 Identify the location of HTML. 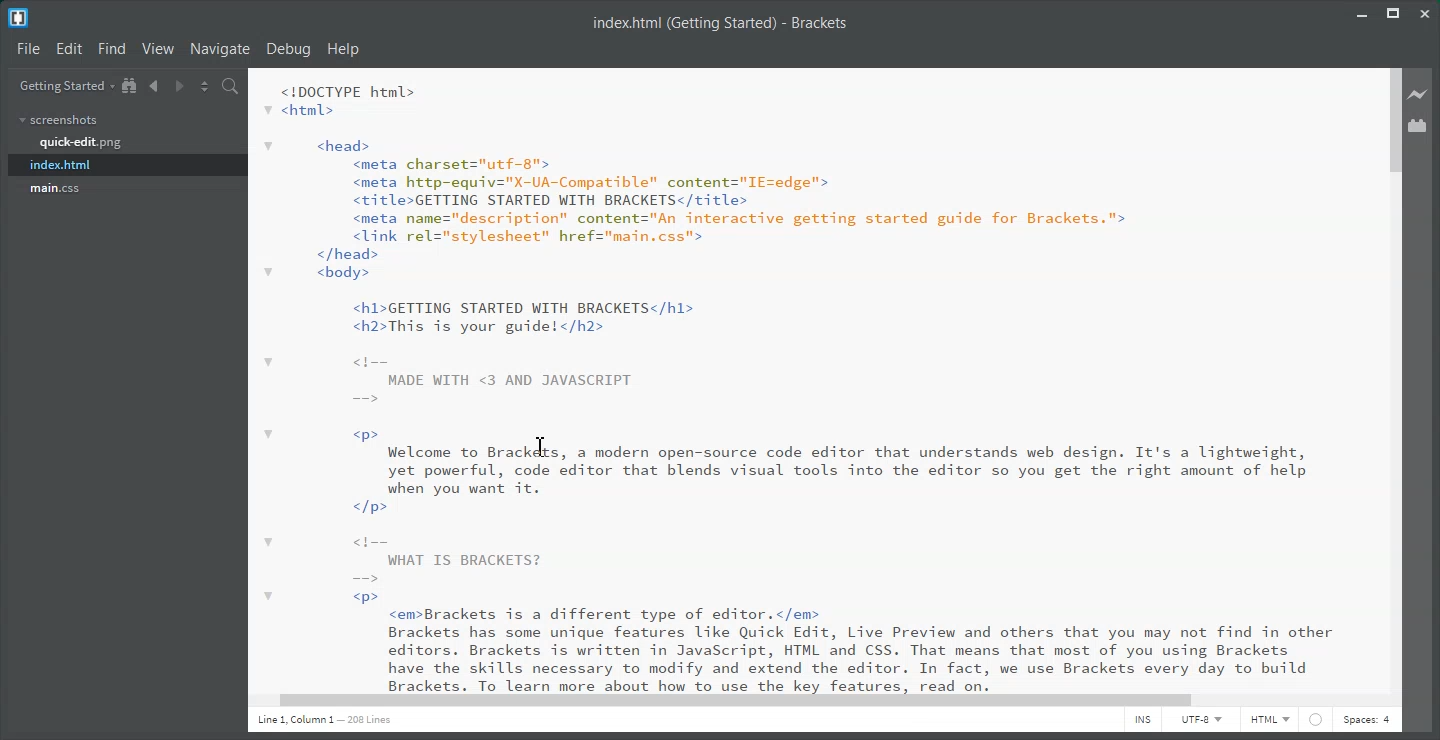
(1270, 720).